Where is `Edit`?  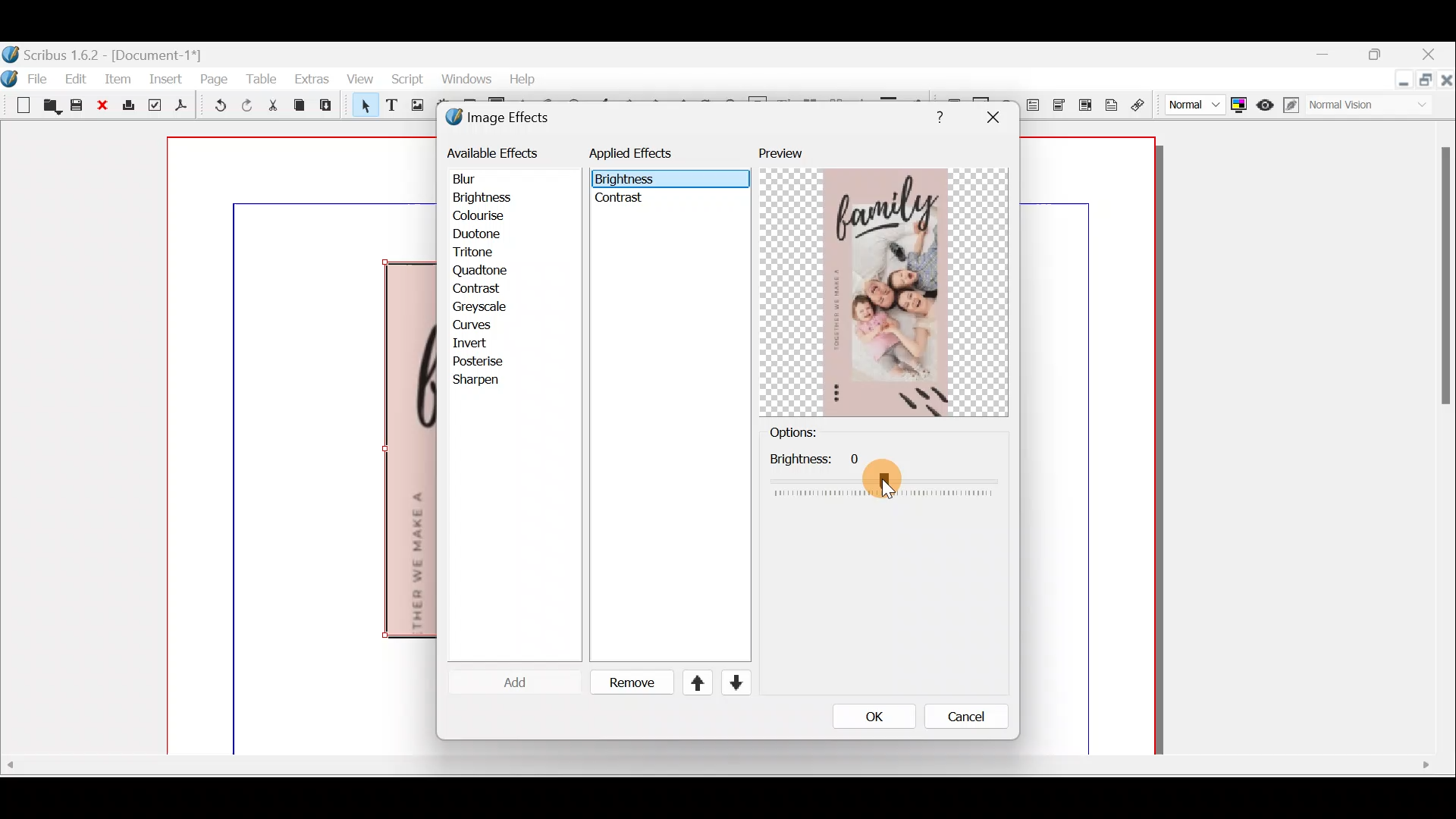
Edit is located at coordinates (78, 78).